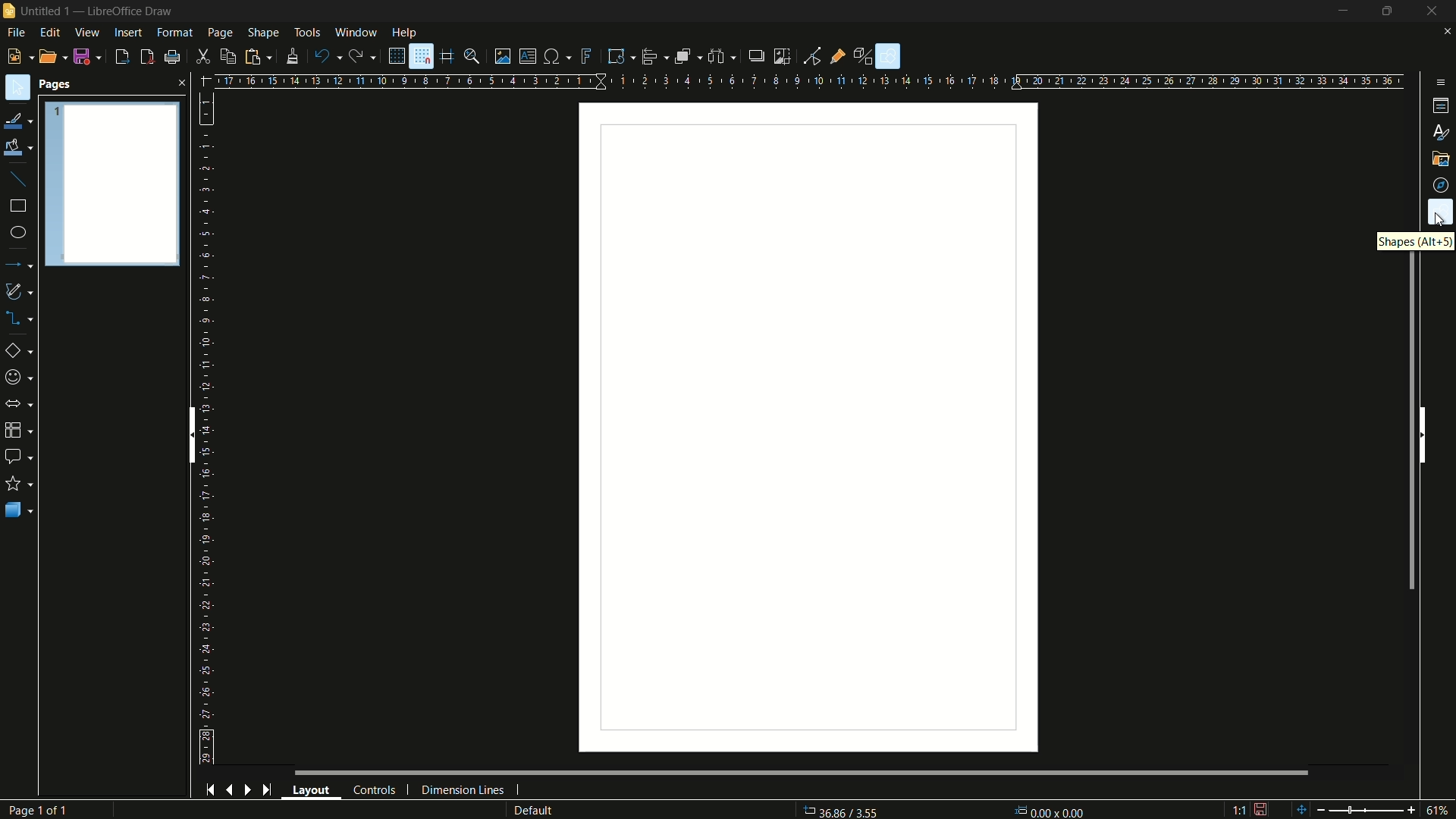 This screenshot has width=1456, height=819. I want to click on 36.86, so click(848, 811).